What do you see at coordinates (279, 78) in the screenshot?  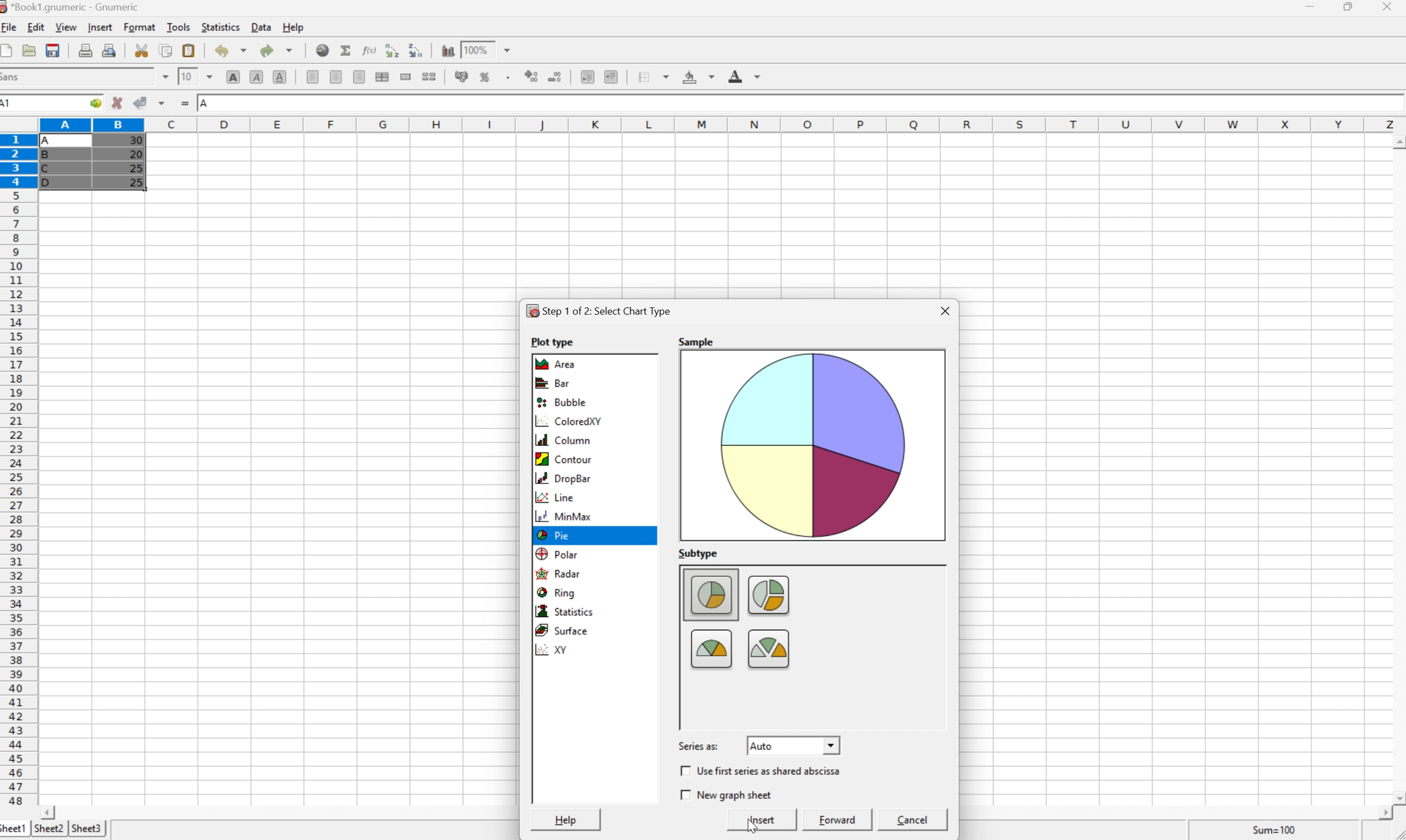 I see `Underline` at bounding box center [279, 78].